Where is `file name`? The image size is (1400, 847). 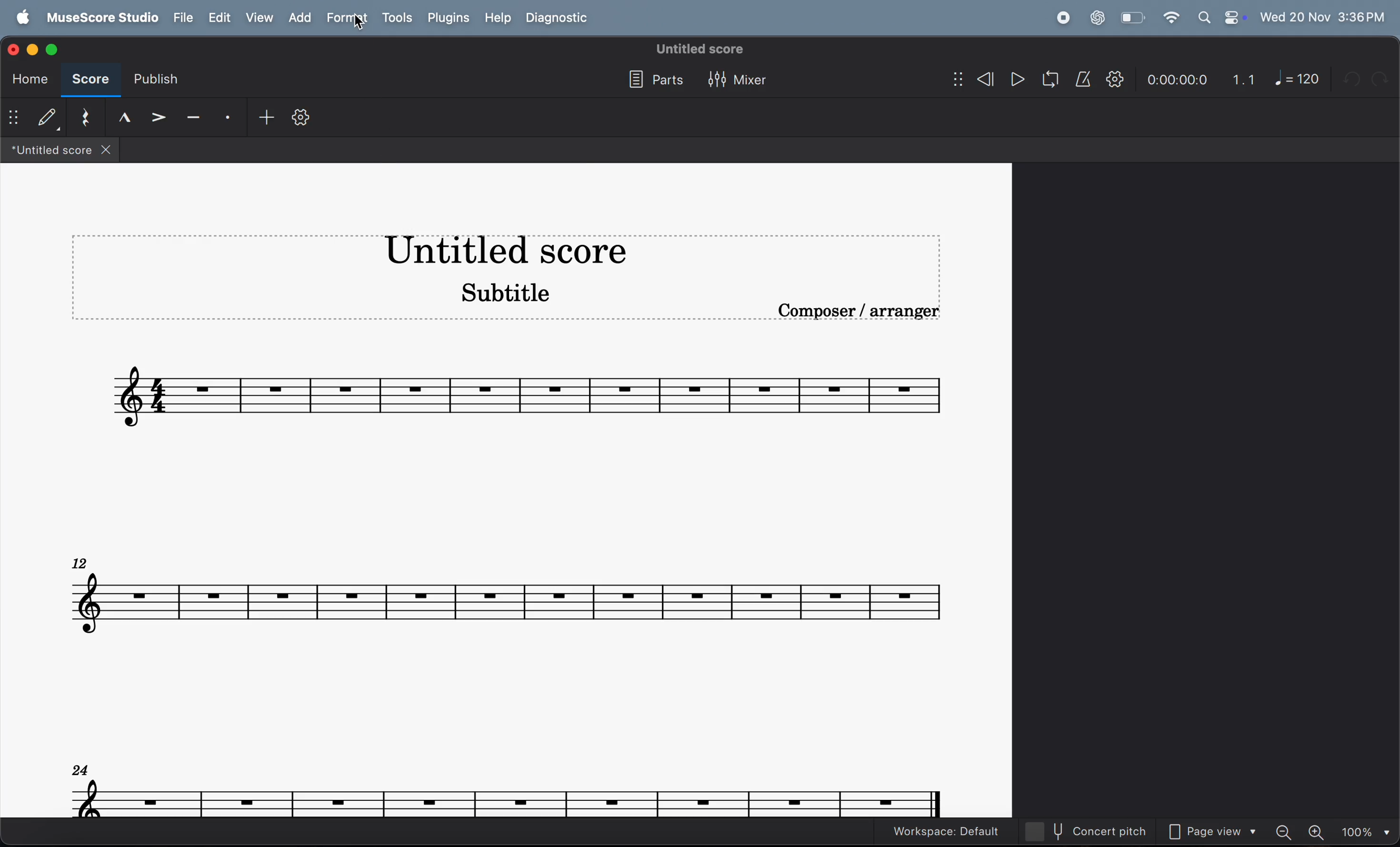 file name is located at coordinates (60, 151).